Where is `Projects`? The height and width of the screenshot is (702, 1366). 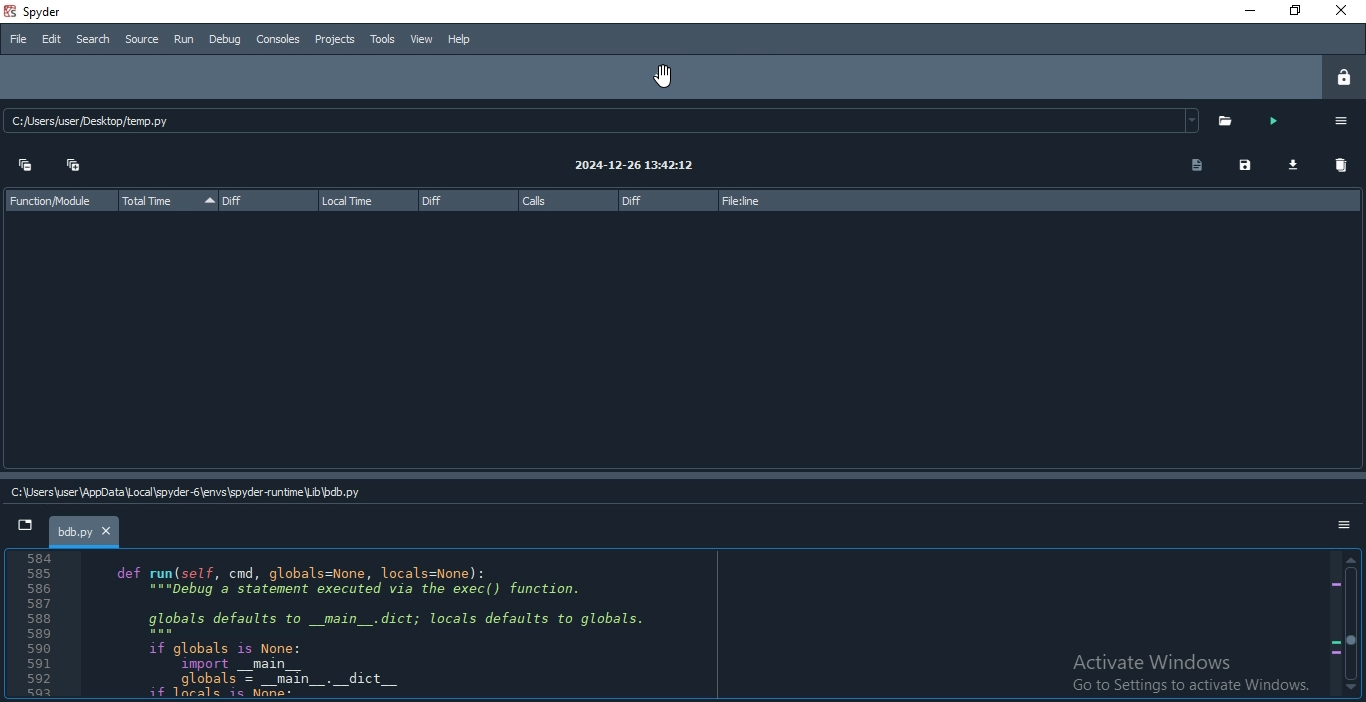 Projects is located at coordinates (335, 39).